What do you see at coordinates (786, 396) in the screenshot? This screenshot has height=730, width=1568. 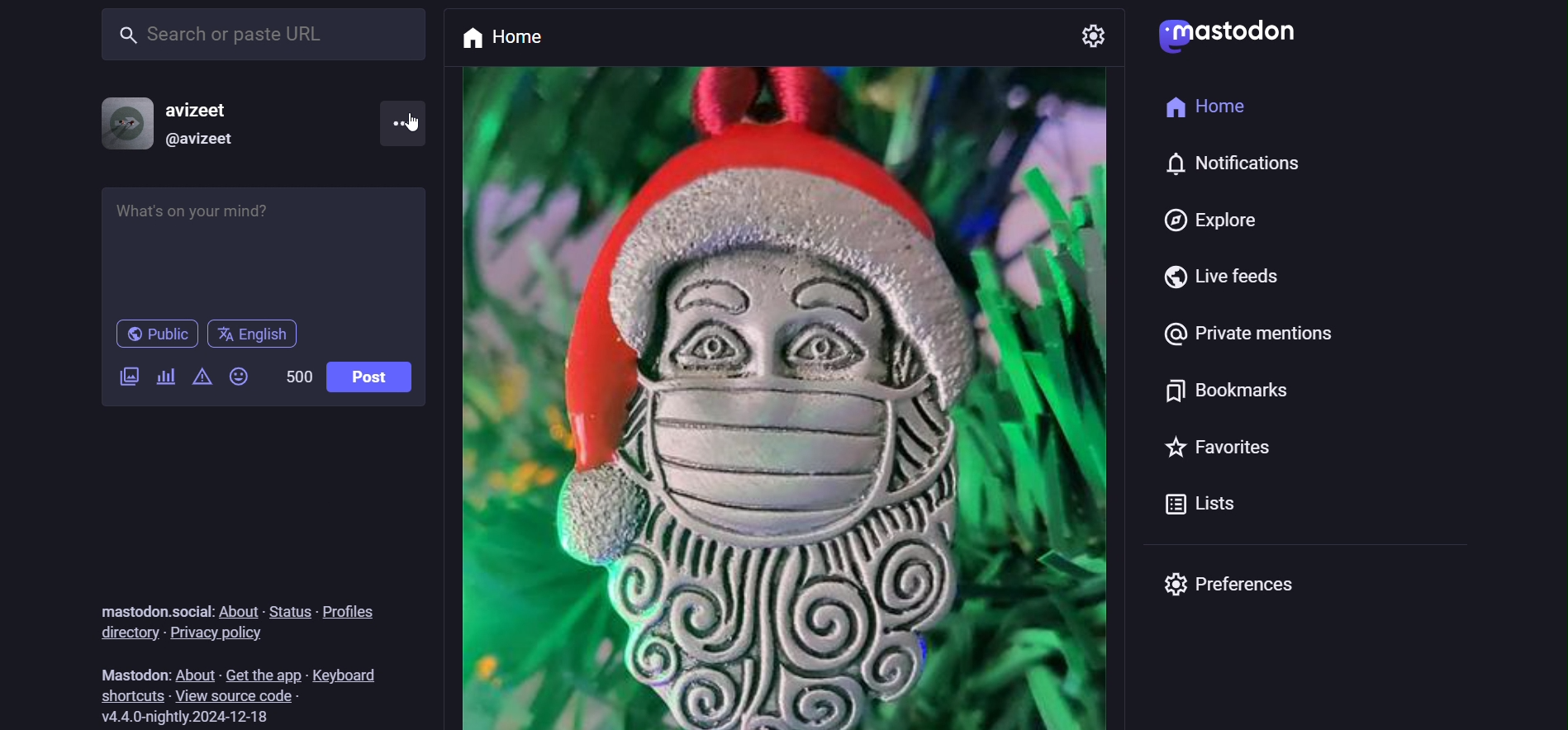 I see `post picture` at bounding box center [786, 396].